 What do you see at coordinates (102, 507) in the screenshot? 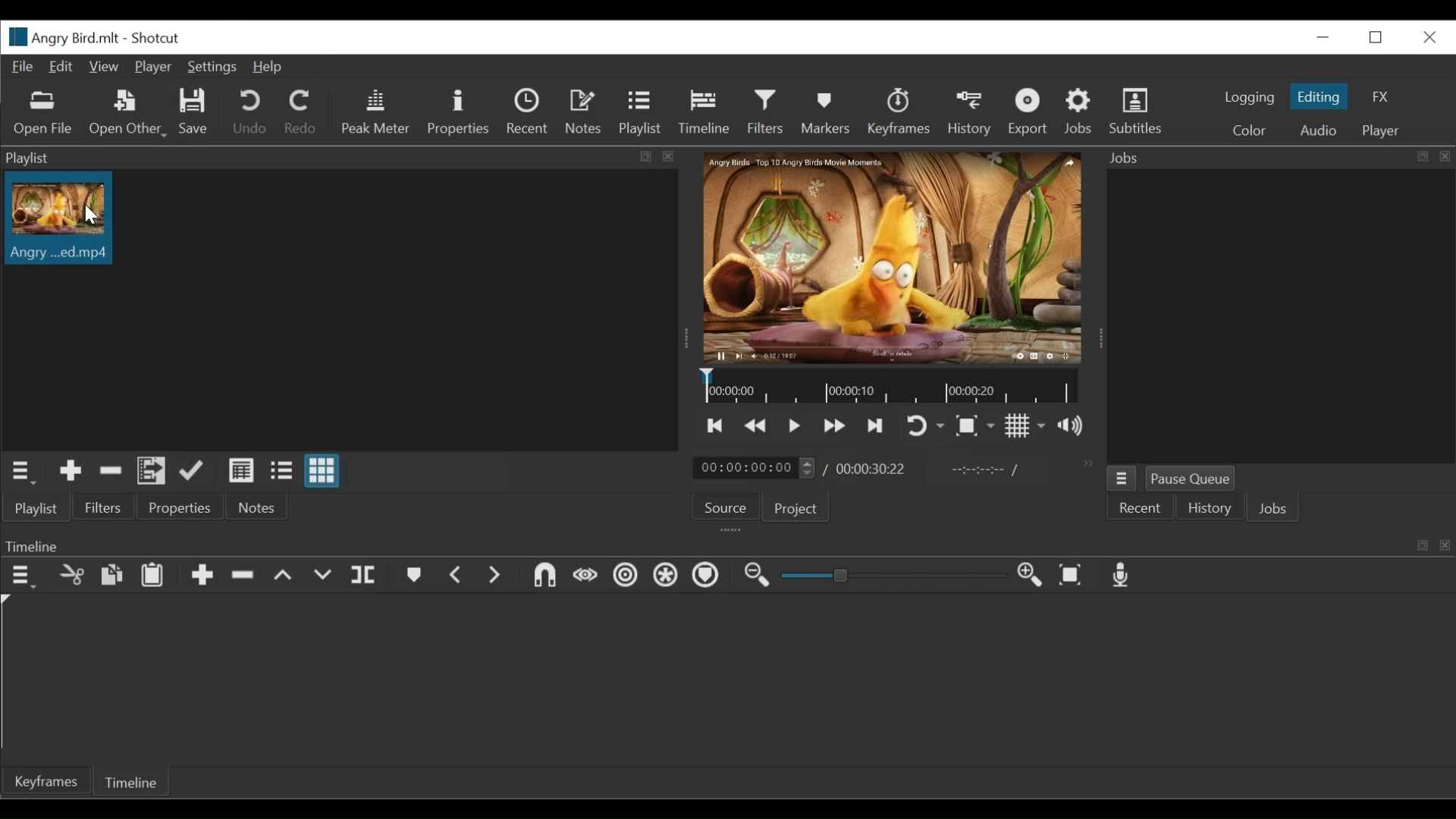
I see `Filters` at bounding box center [102, 507].